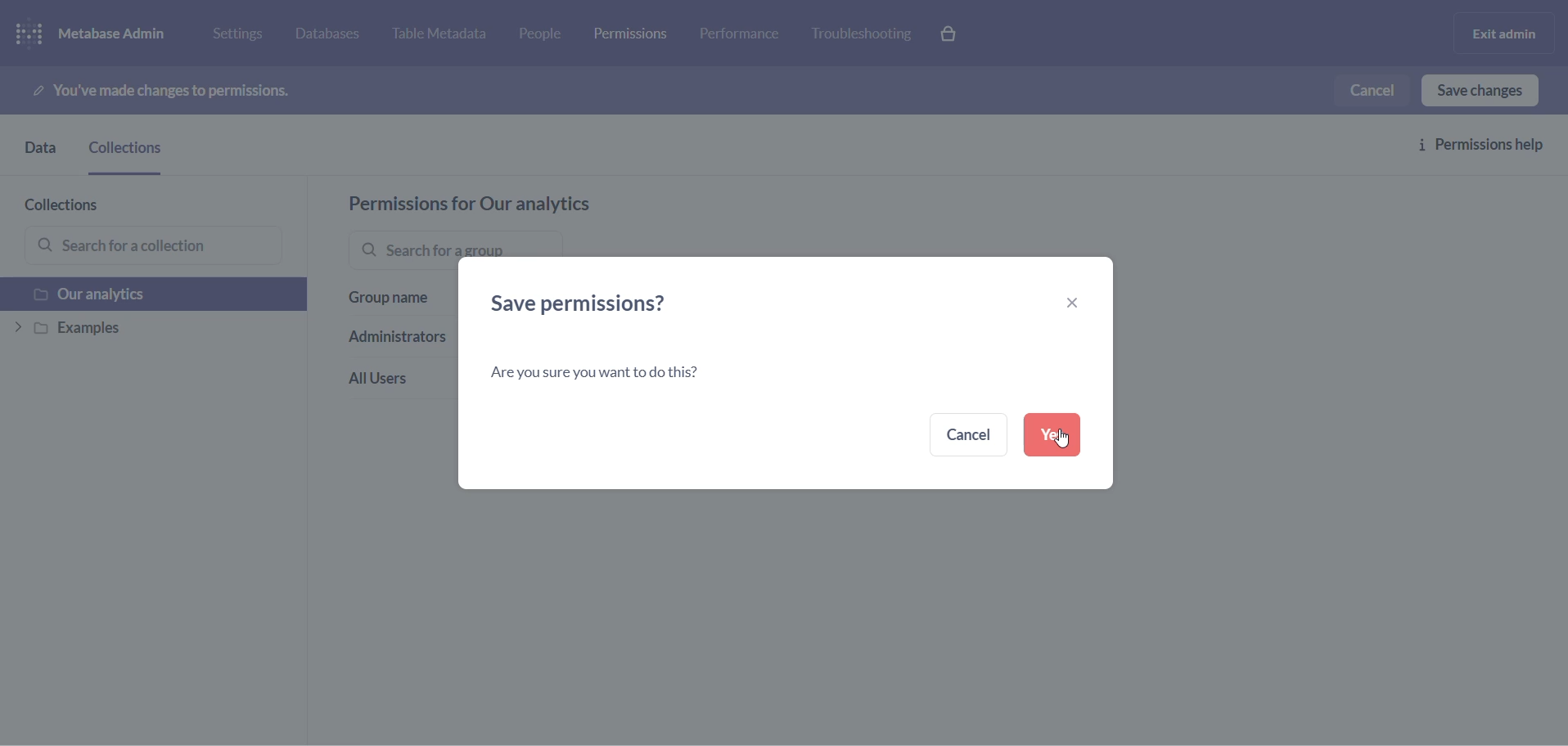 The height and width of the screenshot is (746, 1568). I want to click on colletions, so click(131, 155).